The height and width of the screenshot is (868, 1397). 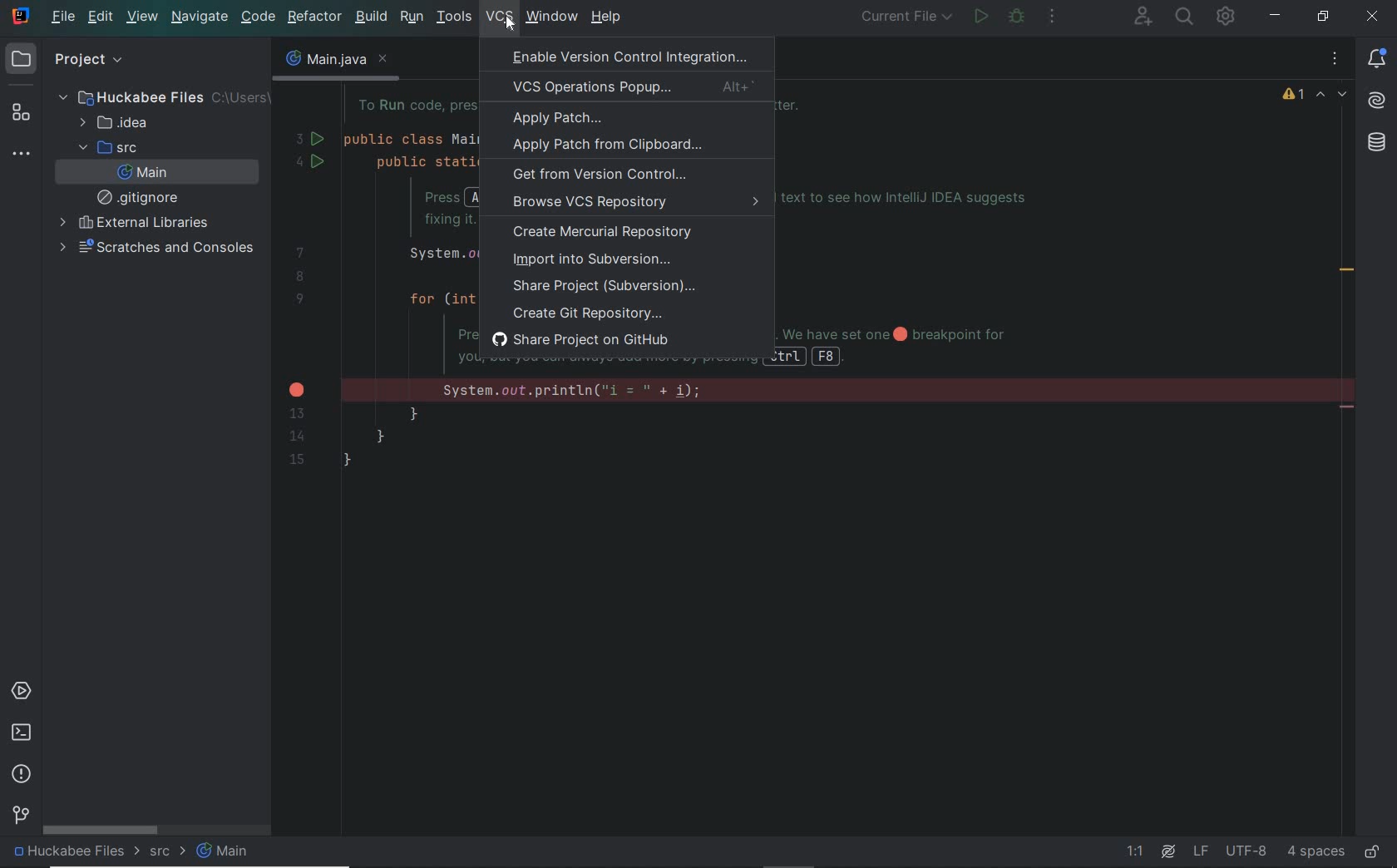 What do you see at coordinates (226, 852) in the screenshot?
I see `main` at bounding box center [226, 852].